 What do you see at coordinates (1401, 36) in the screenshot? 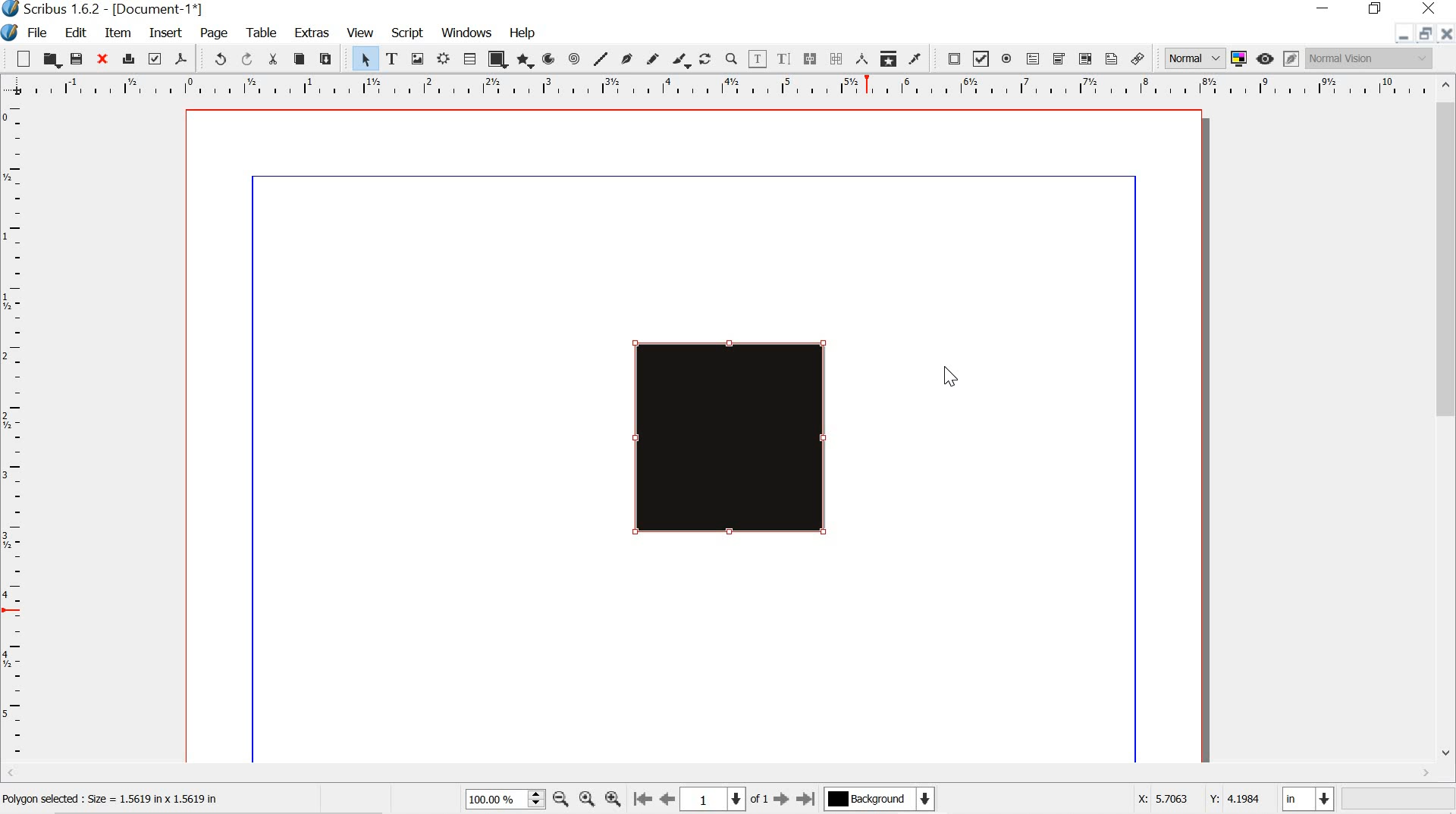
I see `minimize` at bounding box center [1401, 36].